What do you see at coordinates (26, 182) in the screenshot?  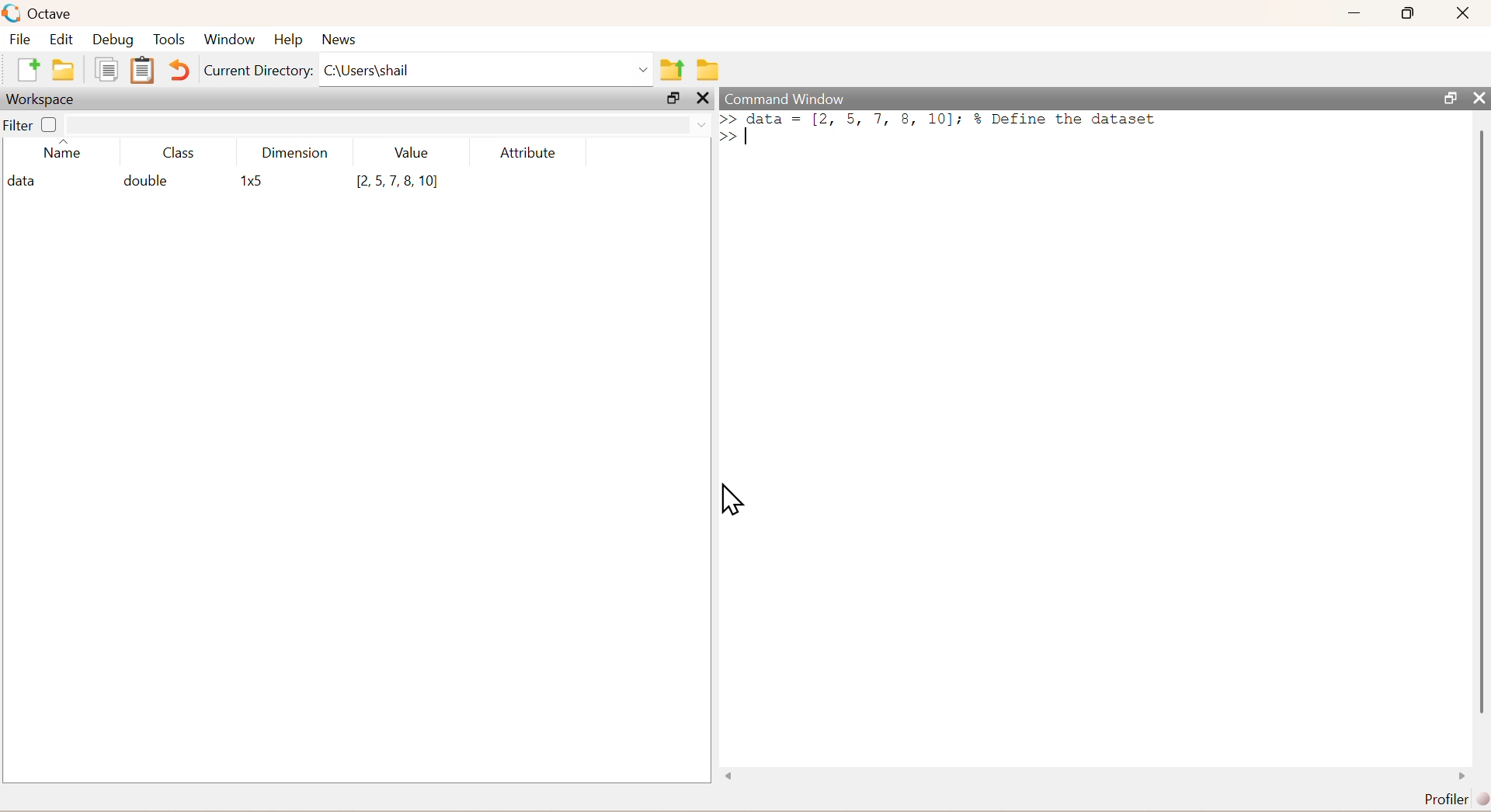 I see `data` at bounding box center [26, 182].